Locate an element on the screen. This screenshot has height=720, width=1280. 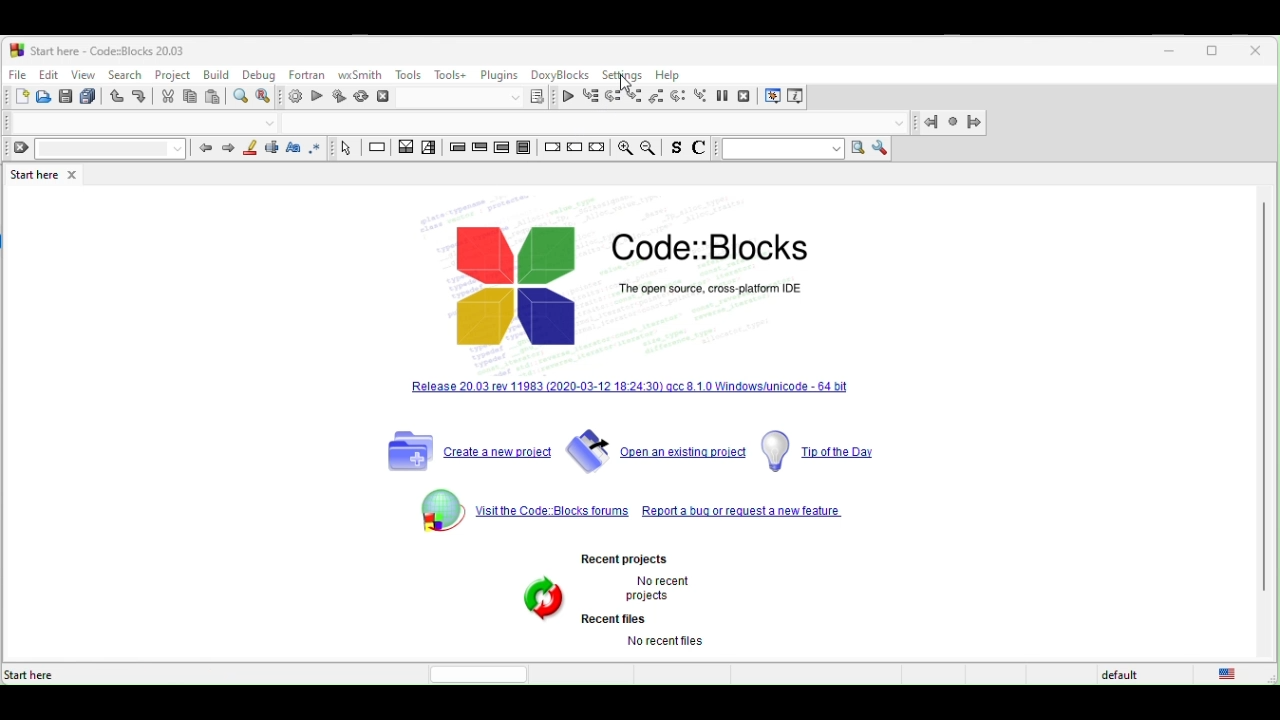
horizontal scroll bar is located at coordinates (482, 673).